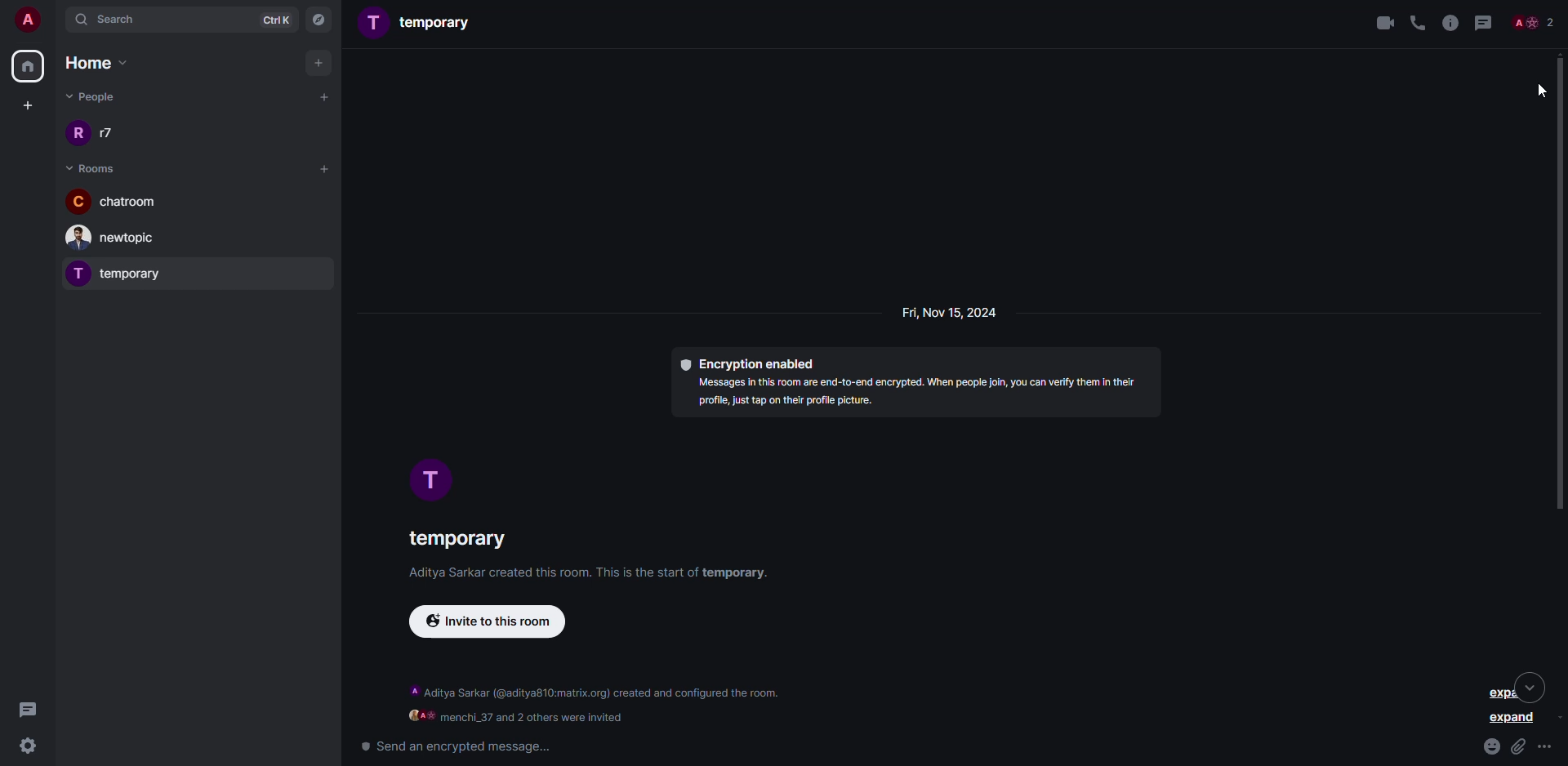 This screenshot has height=766, width=1568. Describe the element at coordinates (1449, 22) in the screenshot. I see `info` at that location.